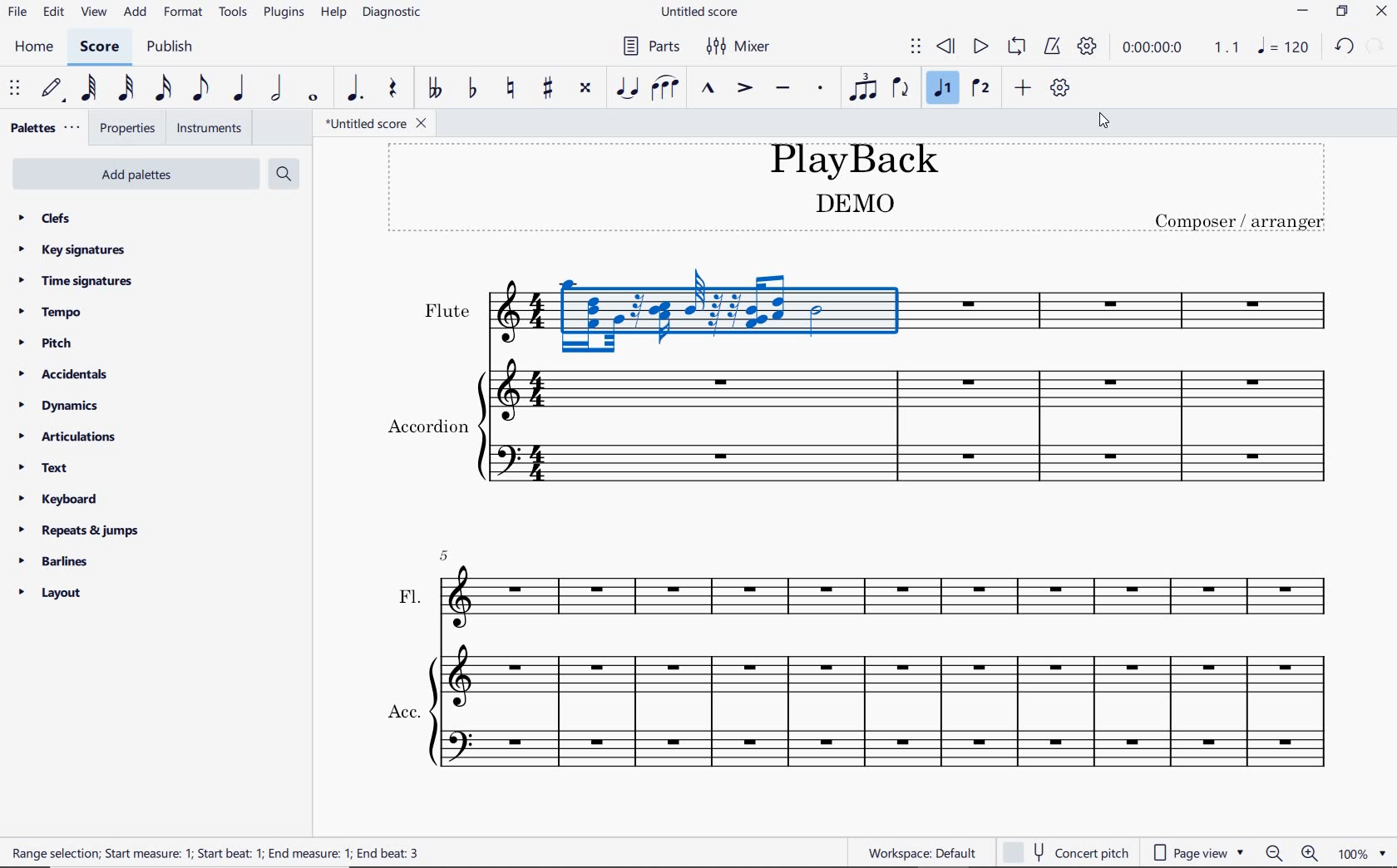 This screenshot has height=868, width=1397. I want to click on add, so click(1023, 87).